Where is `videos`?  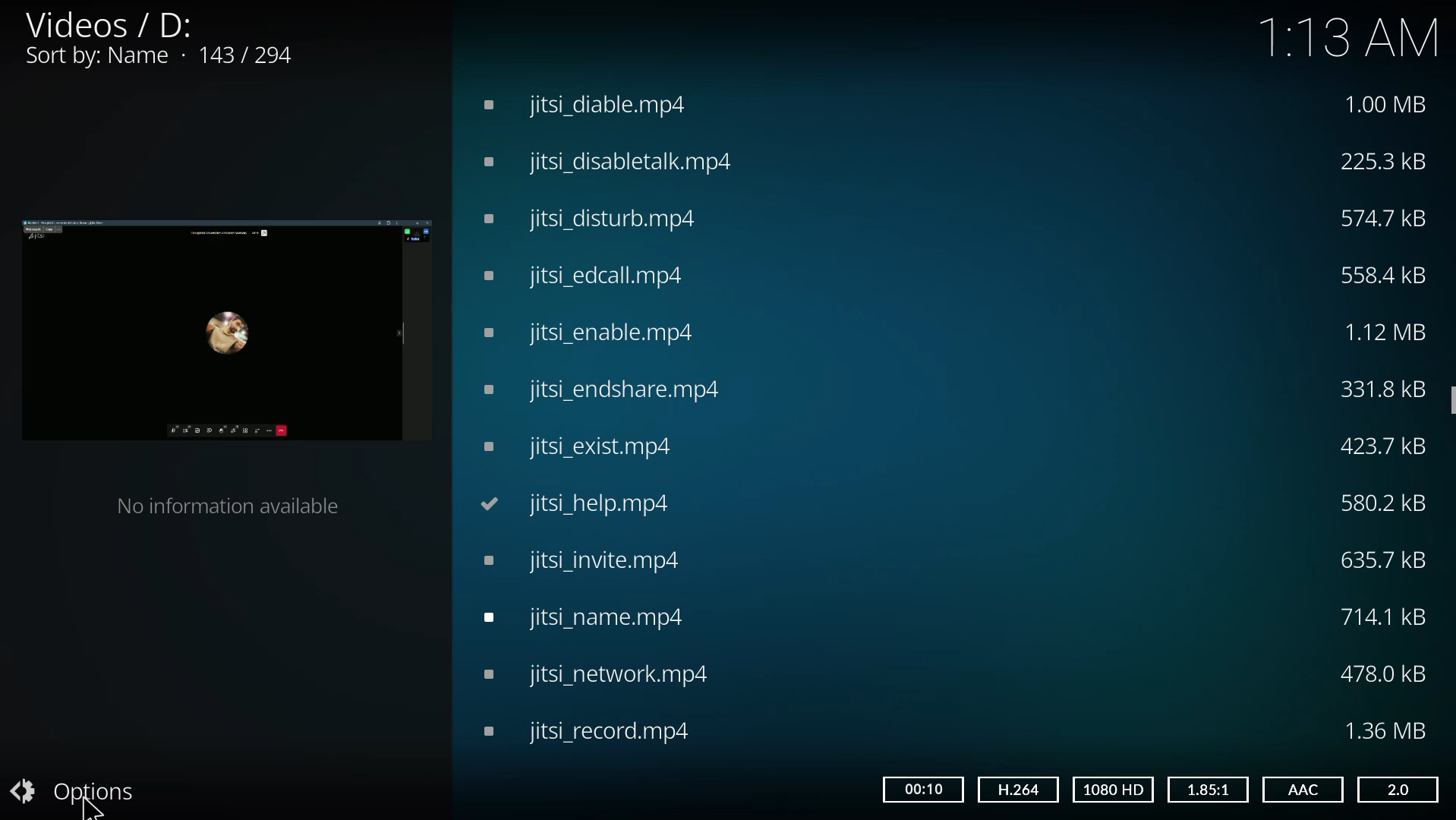 videos is located at coordinates (111, 22).